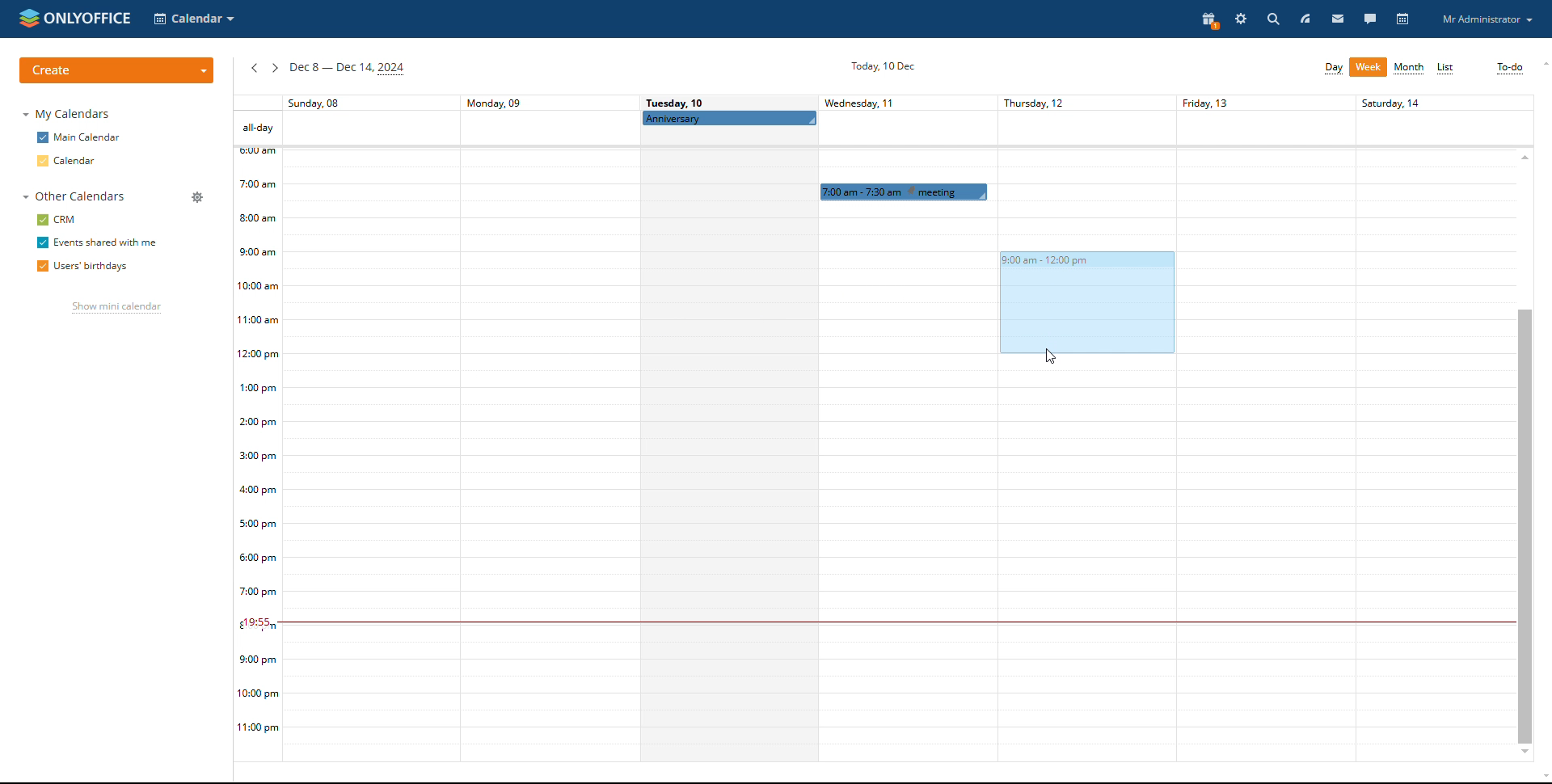 The width and height of the screenshot is (1552, 784). What do you see at coordinates (871, 103) in the screenshot?
I see `Wednesday, 11` at bounding box center [871, 103].